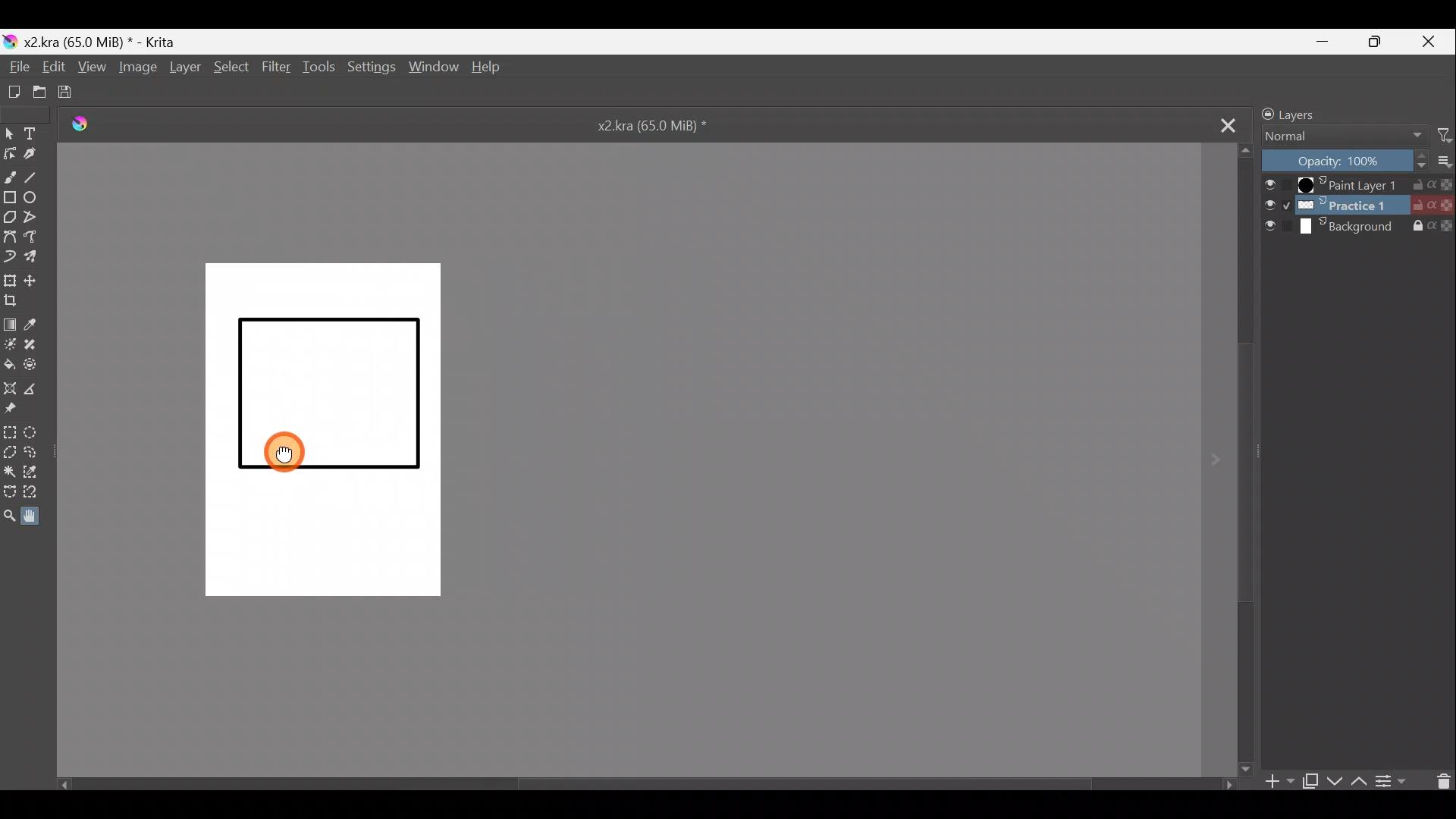 The width and height of the screenshot is (1456, 819). Describe the element at coordinates (333, 431) in the screenshot. I see `Canvas` at that location.